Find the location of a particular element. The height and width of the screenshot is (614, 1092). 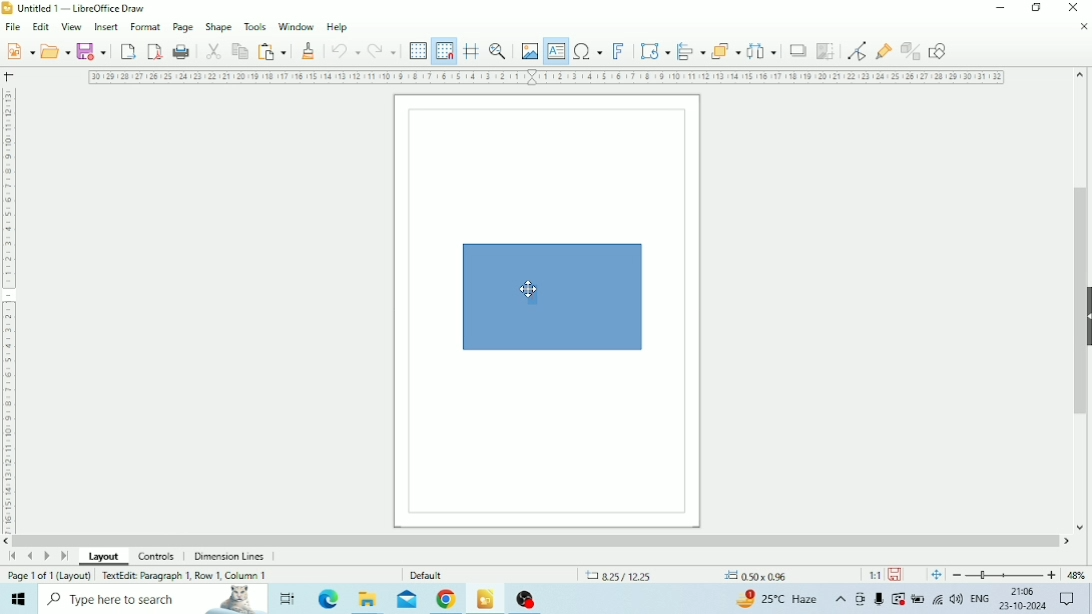

Notifications is located at coordinates (1068, 600).